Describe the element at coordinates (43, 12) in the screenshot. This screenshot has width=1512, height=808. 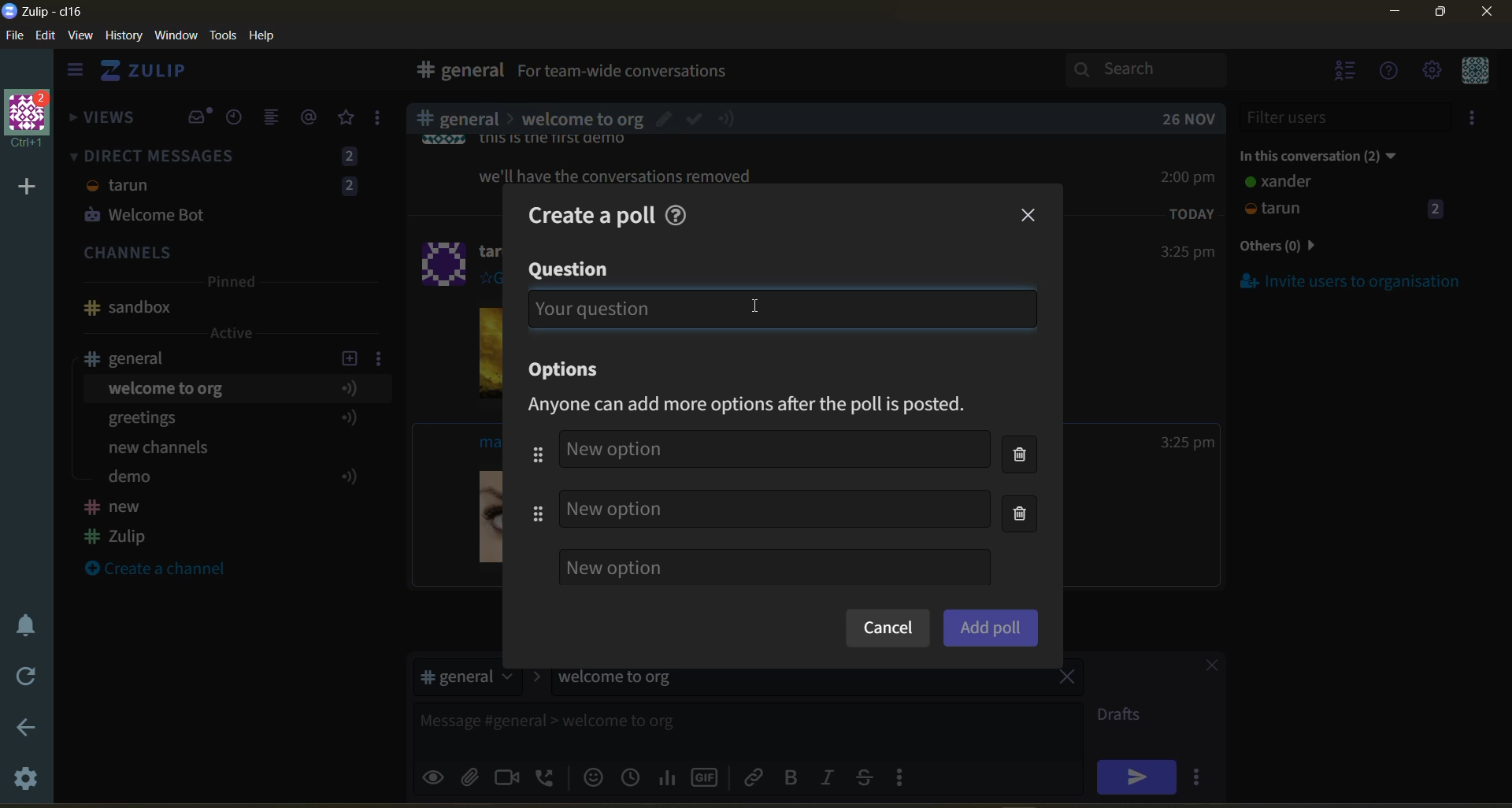
I see `app name and organisation name` at that location.